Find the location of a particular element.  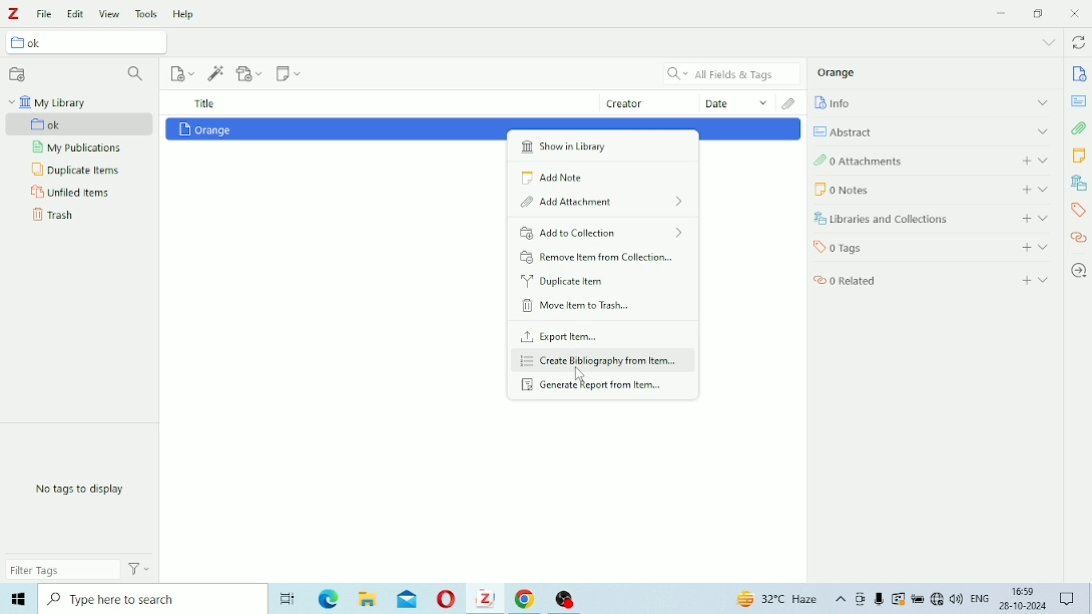

New Note is located at coordinates (289, 73).